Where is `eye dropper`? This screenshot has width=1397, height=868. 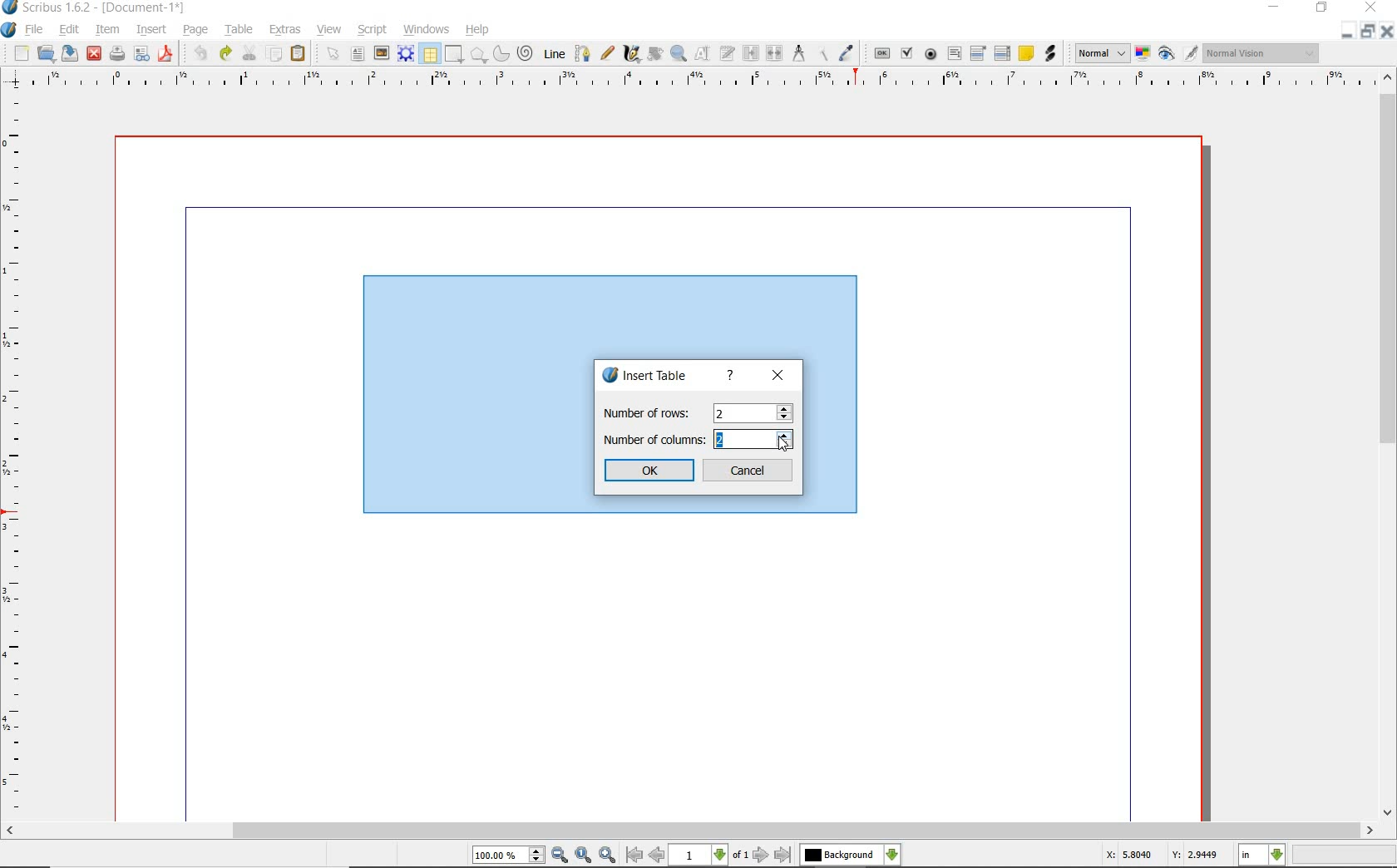
eye dropper is located at coordinates (847, 53).